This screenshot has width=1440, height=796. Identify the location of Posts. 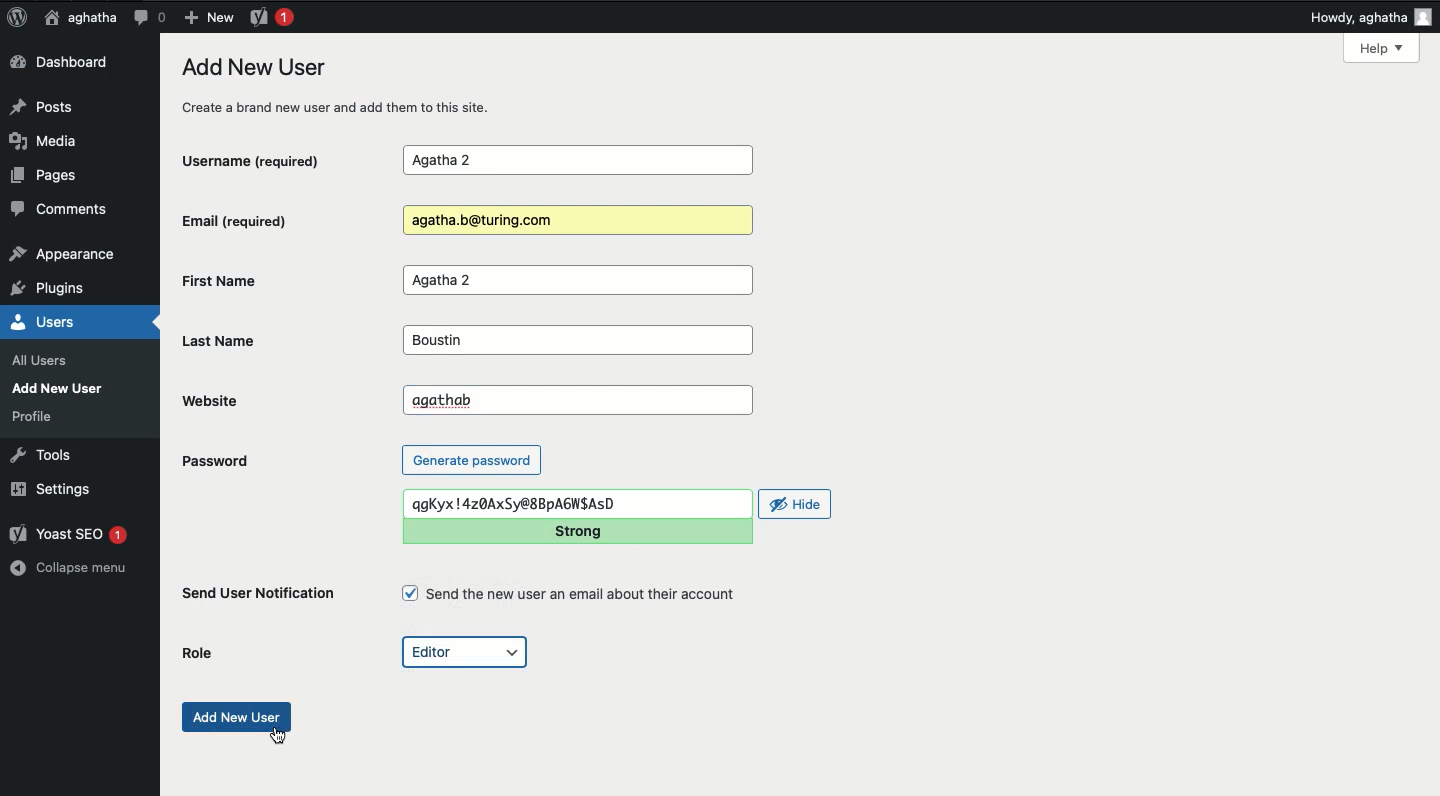
(47, 105).